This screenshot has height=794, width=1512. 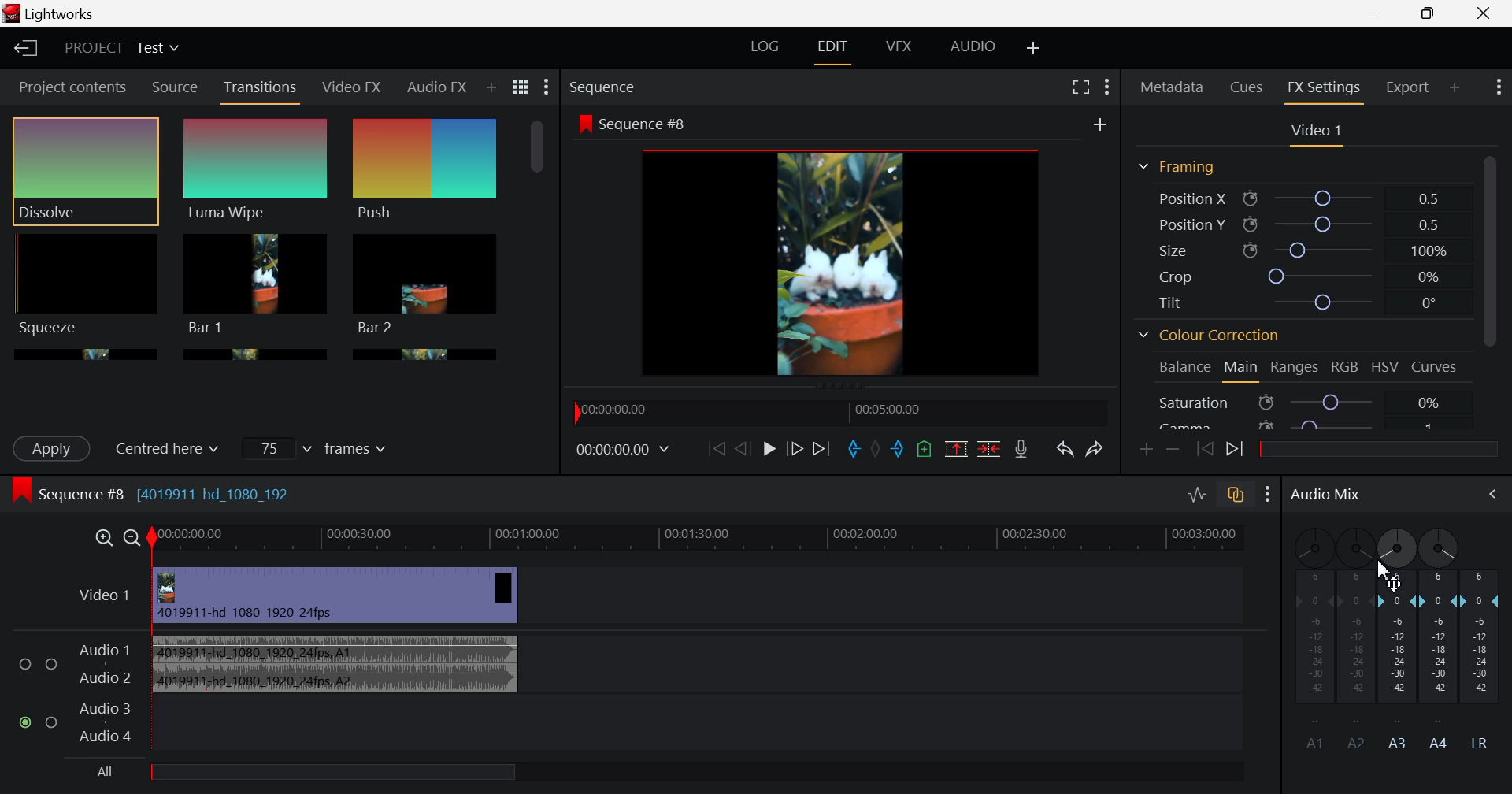 What do you see at coordinates (84, 284) in the screenshot?
I see `Squeeze` at bounding box center [84, 284].